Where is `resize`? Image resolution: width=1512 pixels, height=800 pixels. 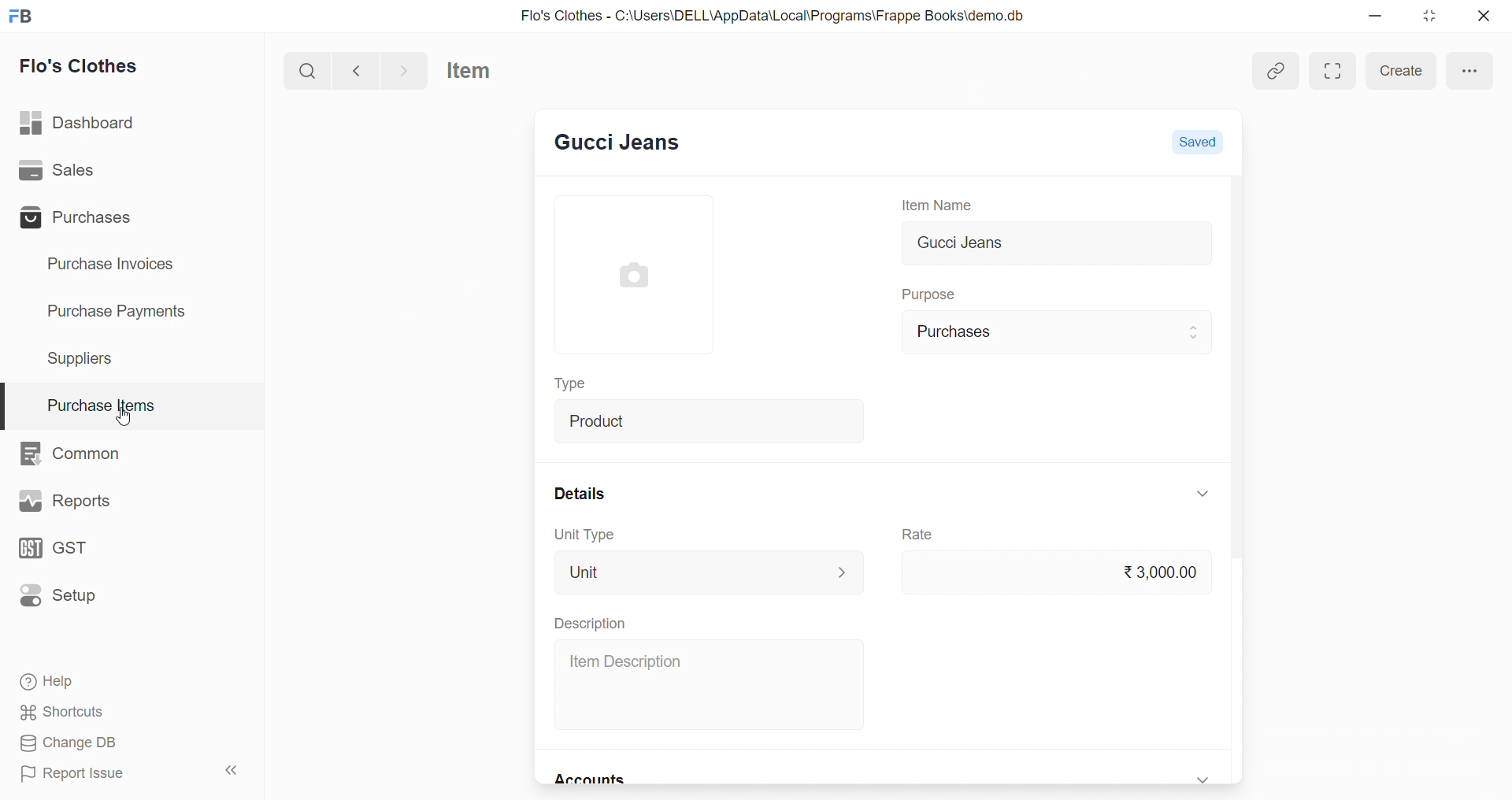 resize is located at coordinates (1430, 16).